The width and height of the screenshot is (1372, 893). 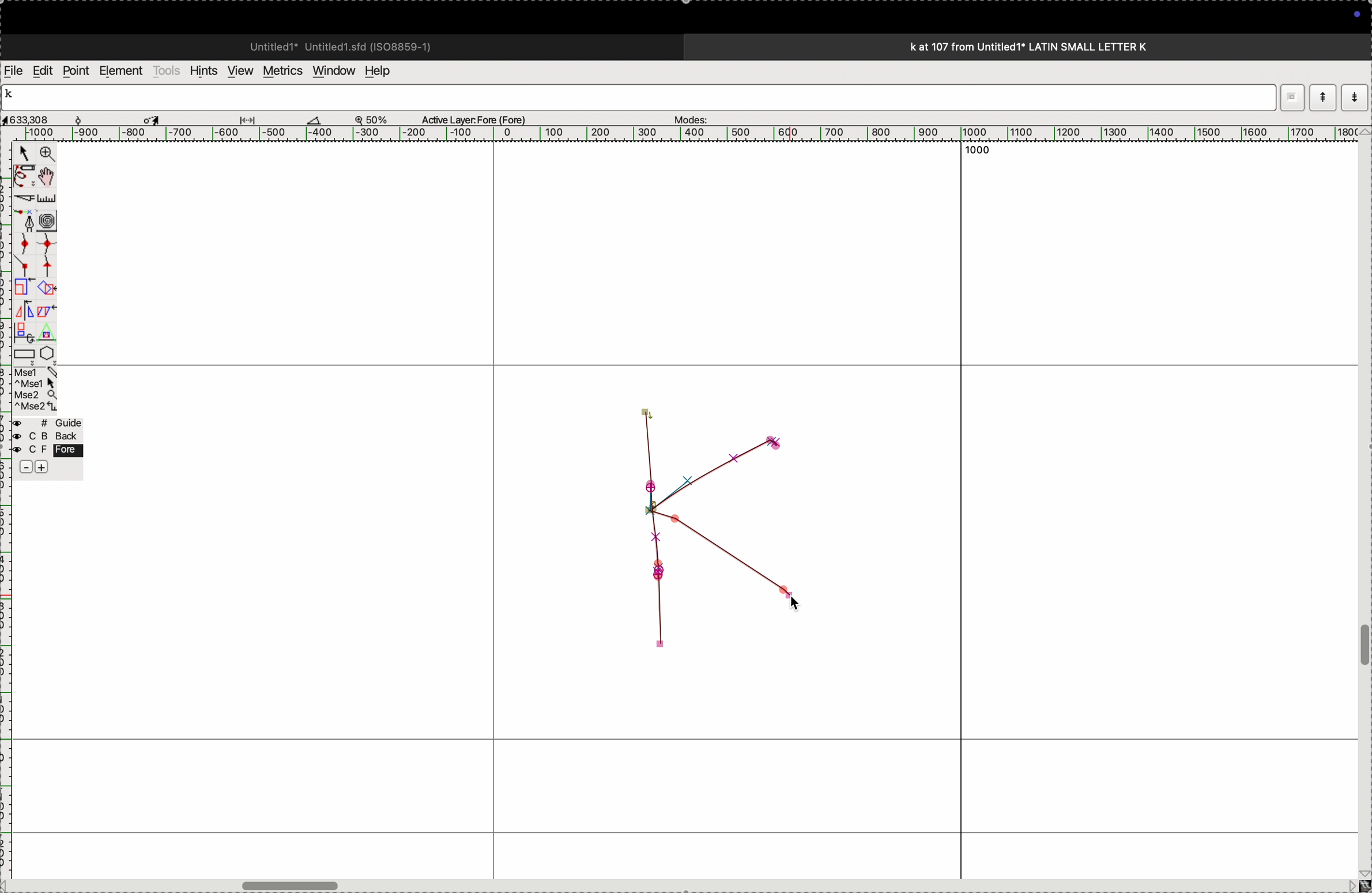 I want to click on toggle screen, so click(x=293, y=884).